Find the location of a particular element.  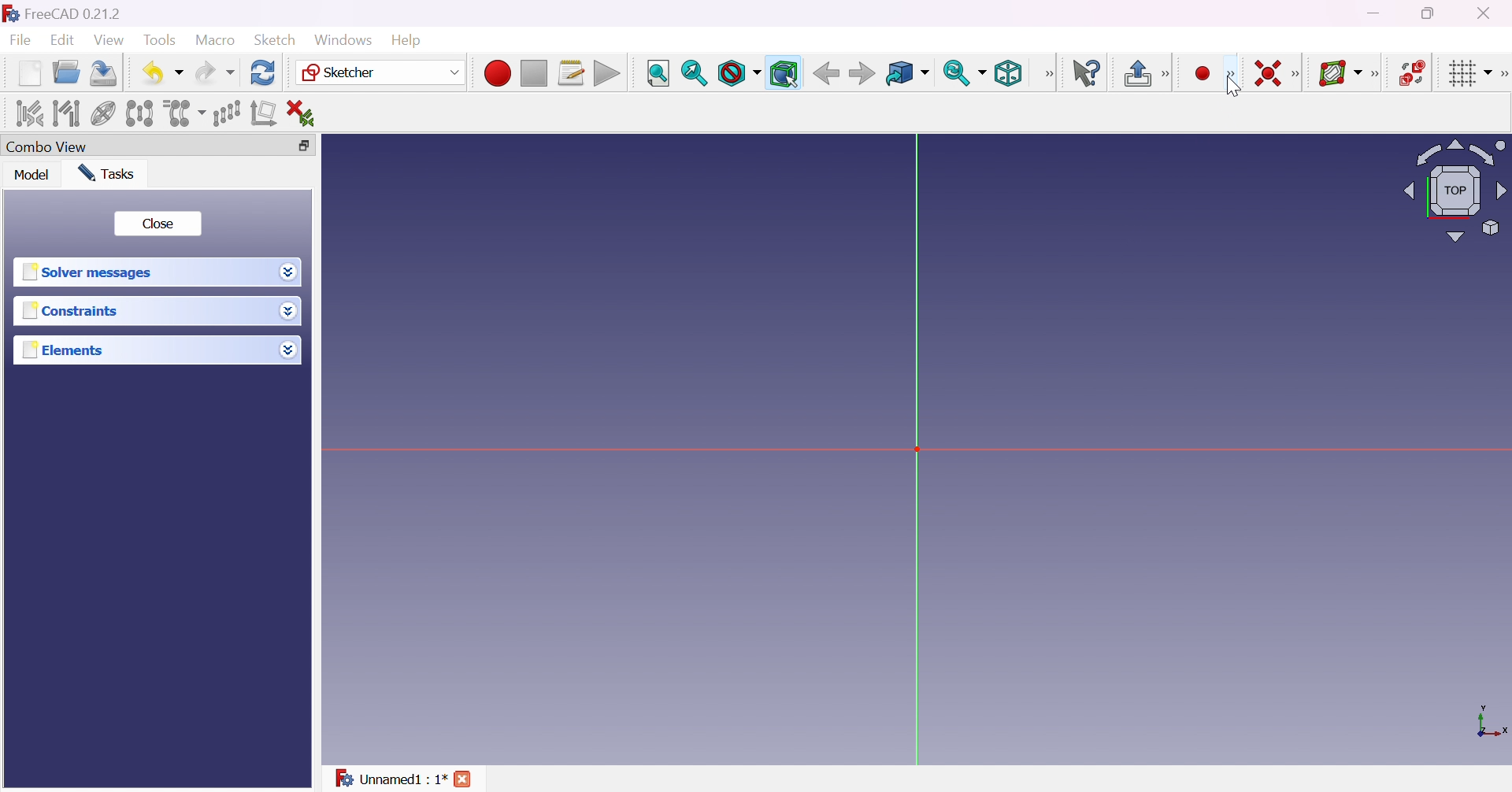

Restore down is located at coordinates (1430, 13).